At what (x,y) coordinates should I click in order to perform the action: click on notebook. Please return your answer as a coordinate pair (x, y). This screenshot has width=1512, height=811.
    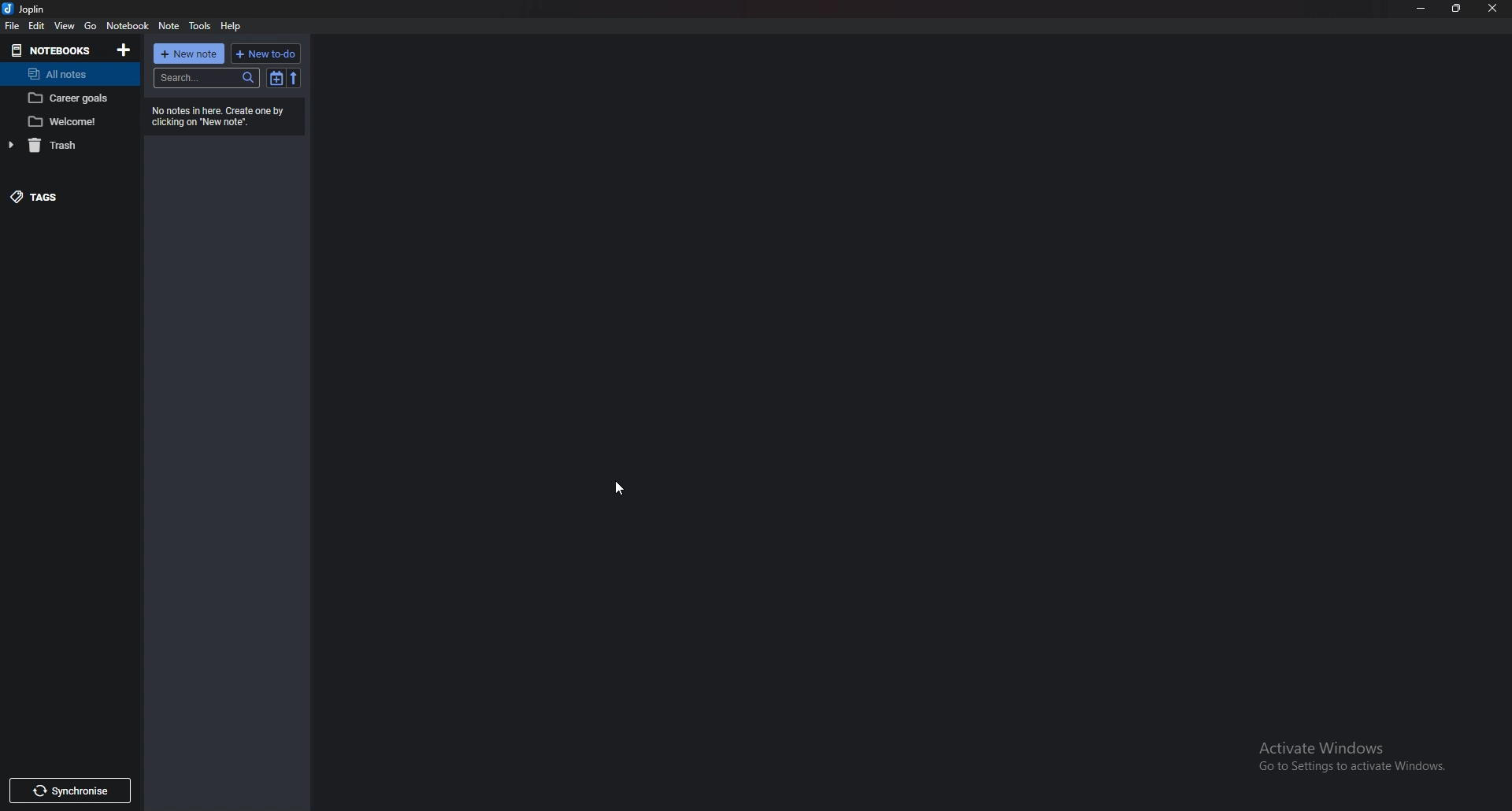
    Looking at the image, I should click on (72, 121).